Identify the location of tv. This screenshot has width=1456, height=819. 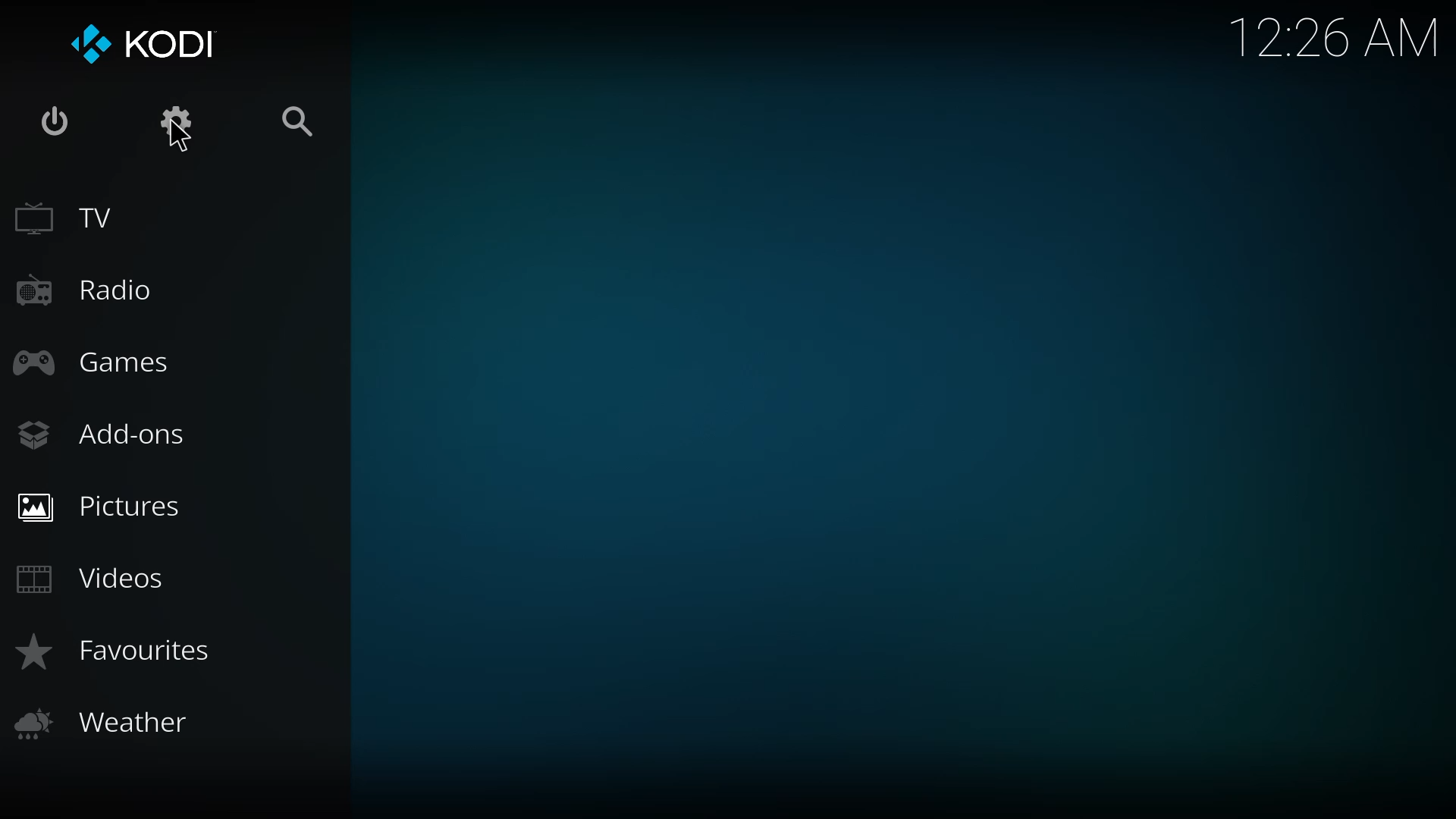
(74, 216).